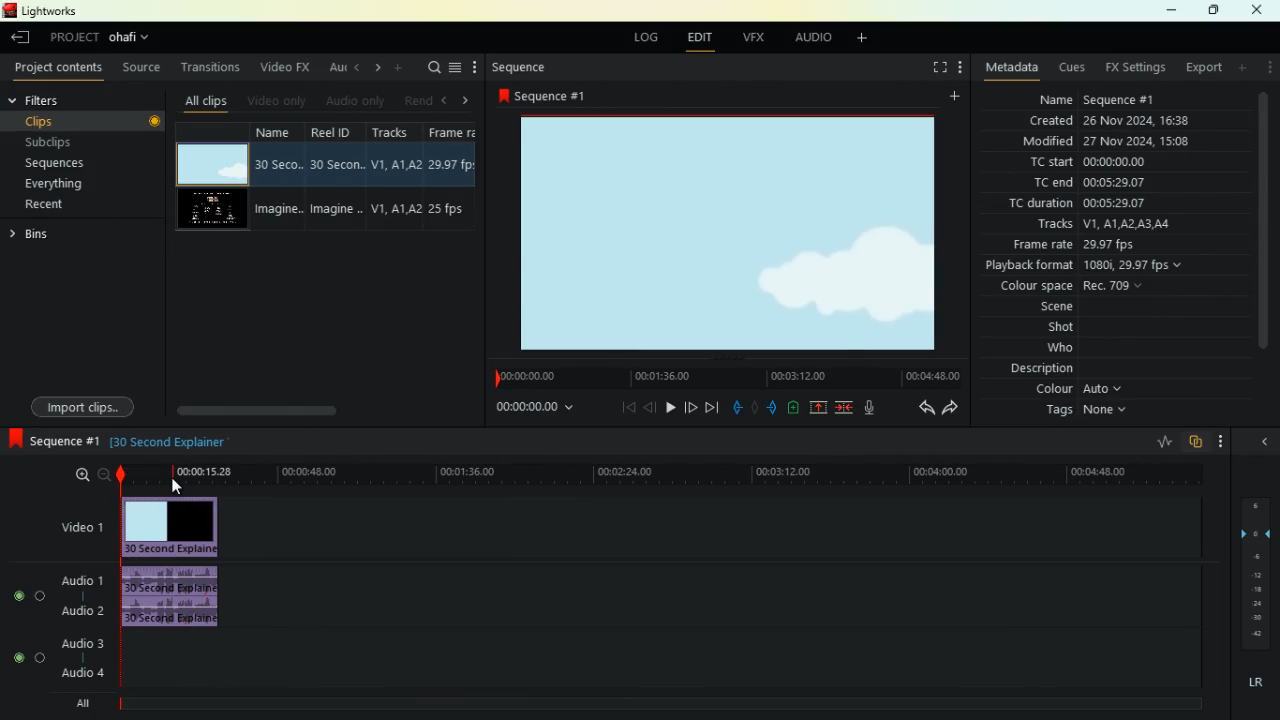 Image resolution: width=1280 pixels, height=720 pixels. I want to click on 30 seco, so click(277, 166).